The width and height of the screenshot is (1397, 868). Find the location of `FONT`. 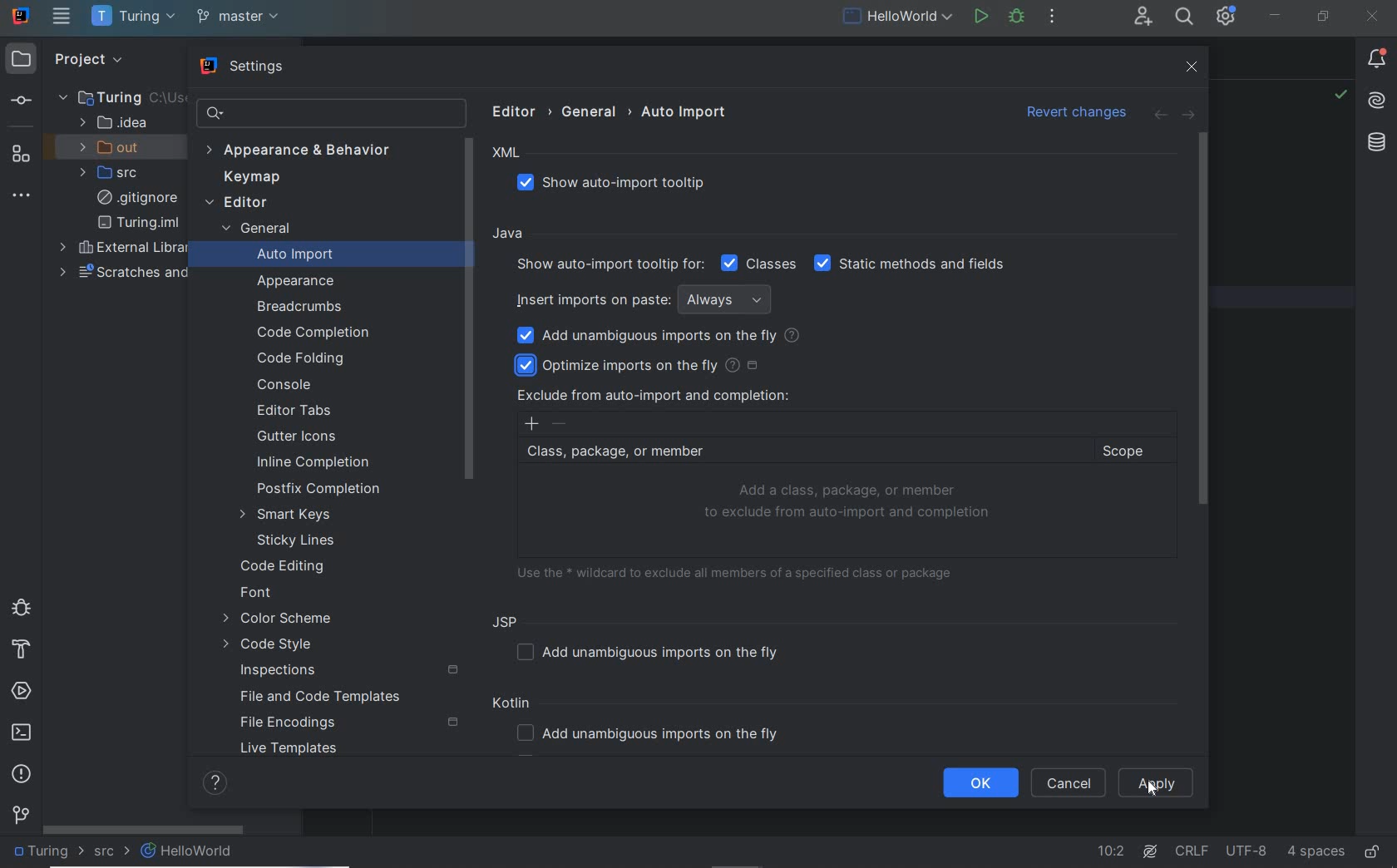

FONT is located at coordinates (257, 594).